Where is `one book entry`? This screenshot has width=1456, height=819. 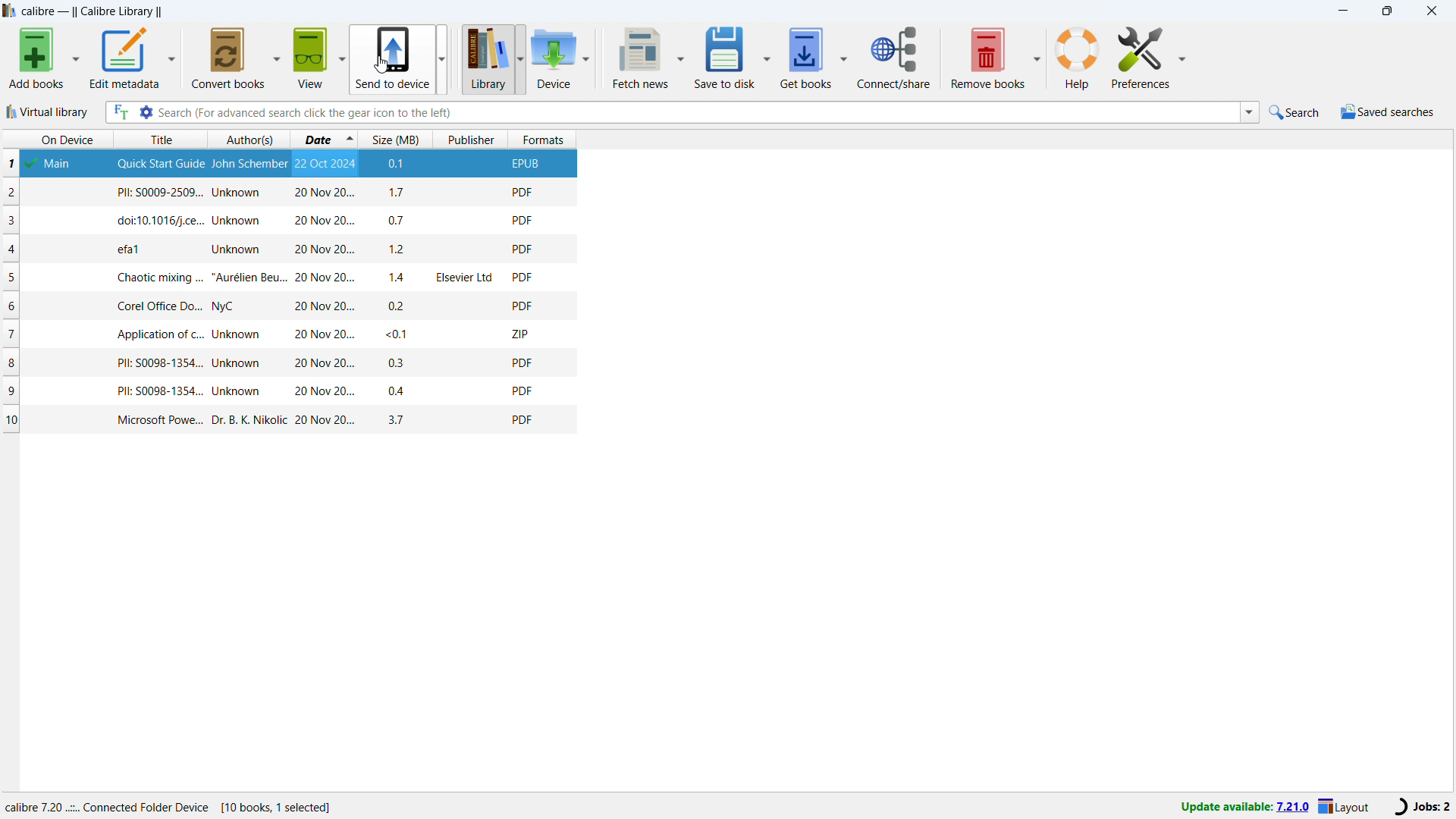
one book entry is located at coordinates (283, 193).